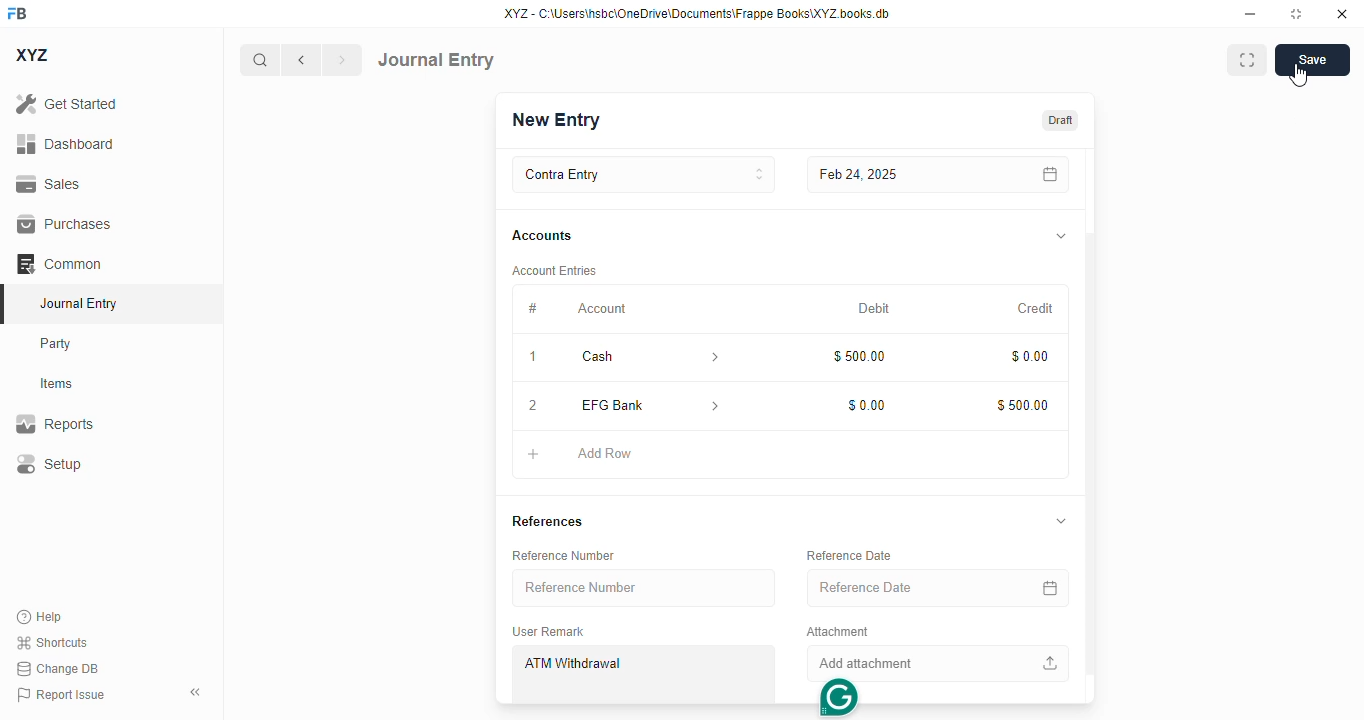 The image size is (1364, 720). I want to click on FB - logo, so click(17, 13).